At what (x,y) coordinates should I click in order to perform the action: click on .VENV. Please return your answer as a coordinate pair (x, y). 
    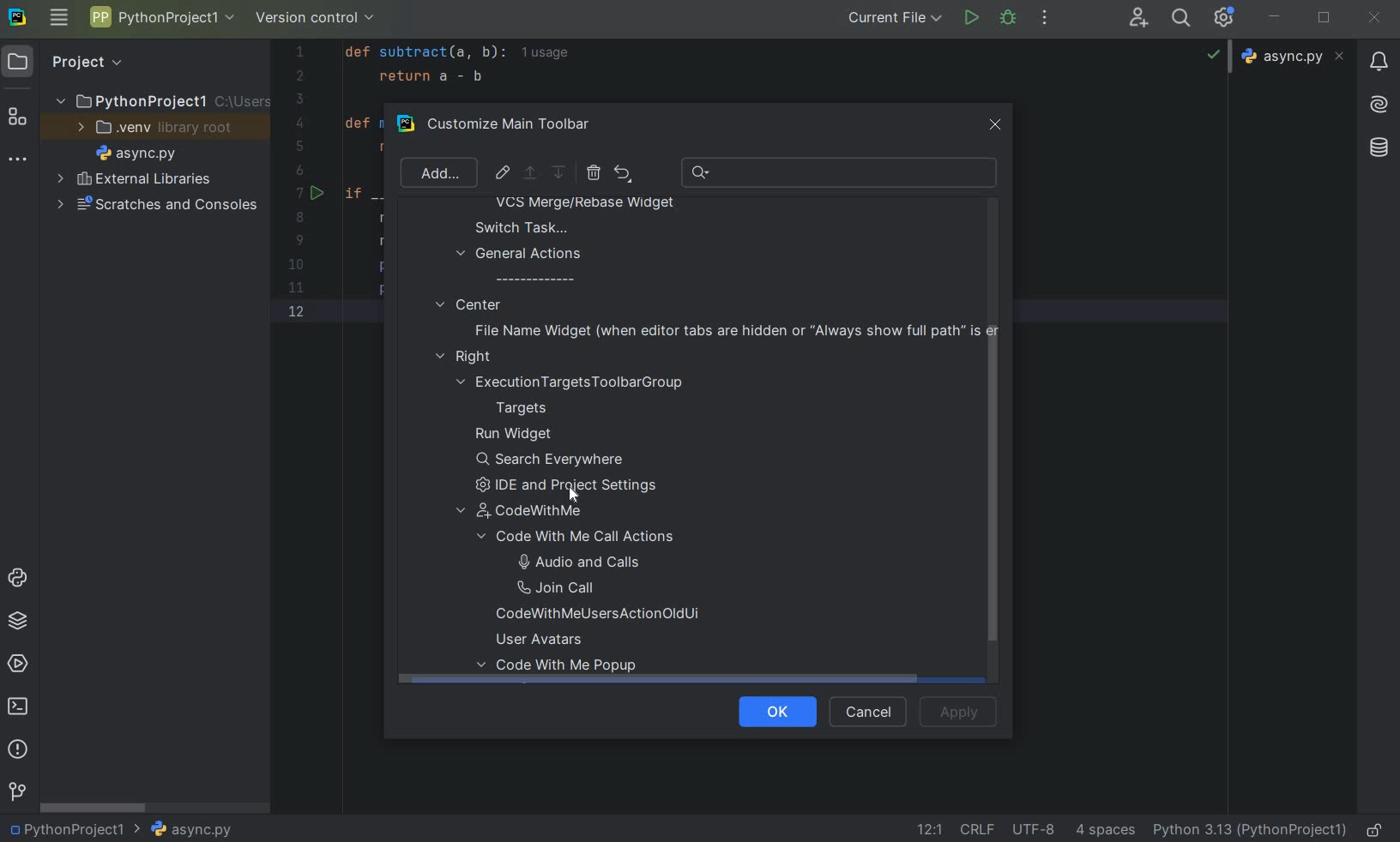
    Looking at the image, I should click on (155, 128).